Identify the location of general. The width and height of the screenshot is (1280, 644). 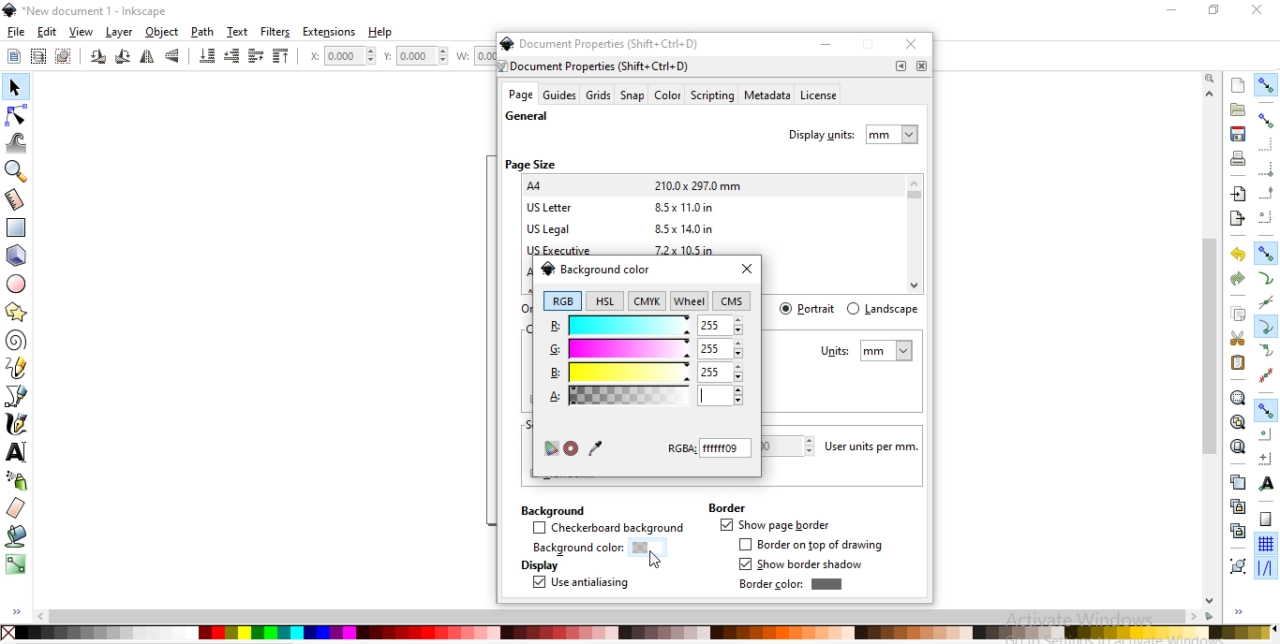
(527, 117).